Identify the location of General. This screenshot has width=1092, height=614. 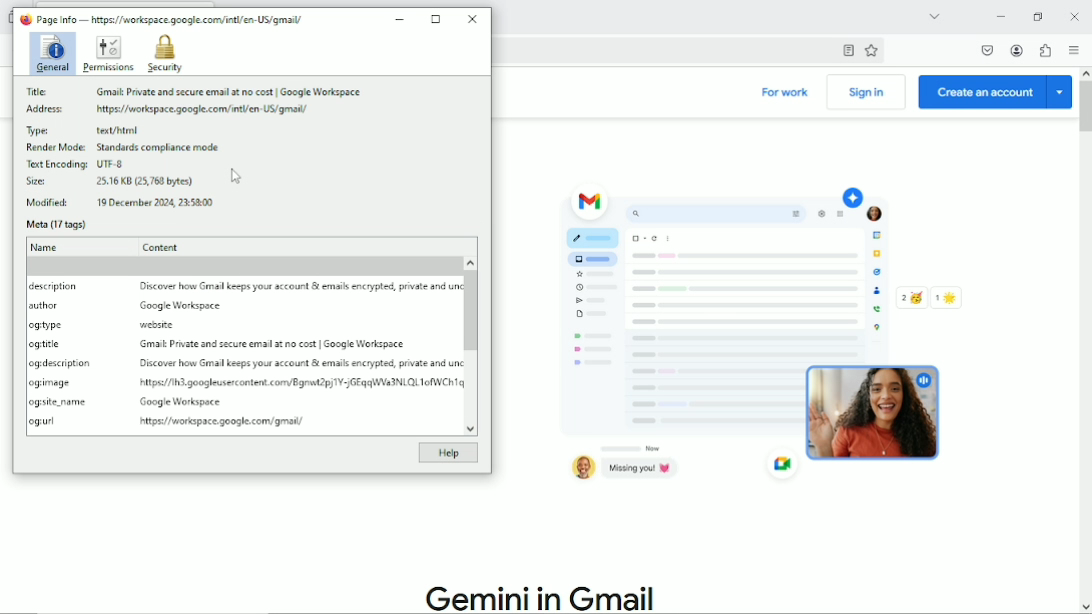
(49, 54).